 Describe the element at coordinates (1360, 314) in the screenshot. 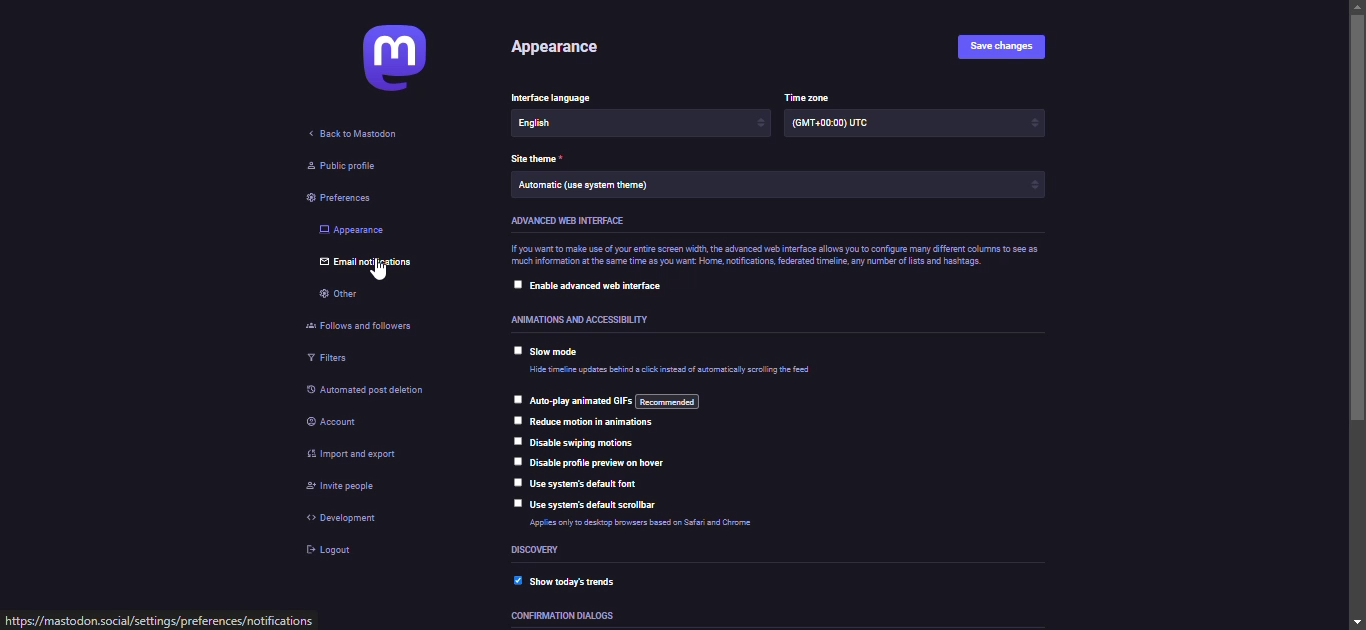

I see `scroll bar` at that location.